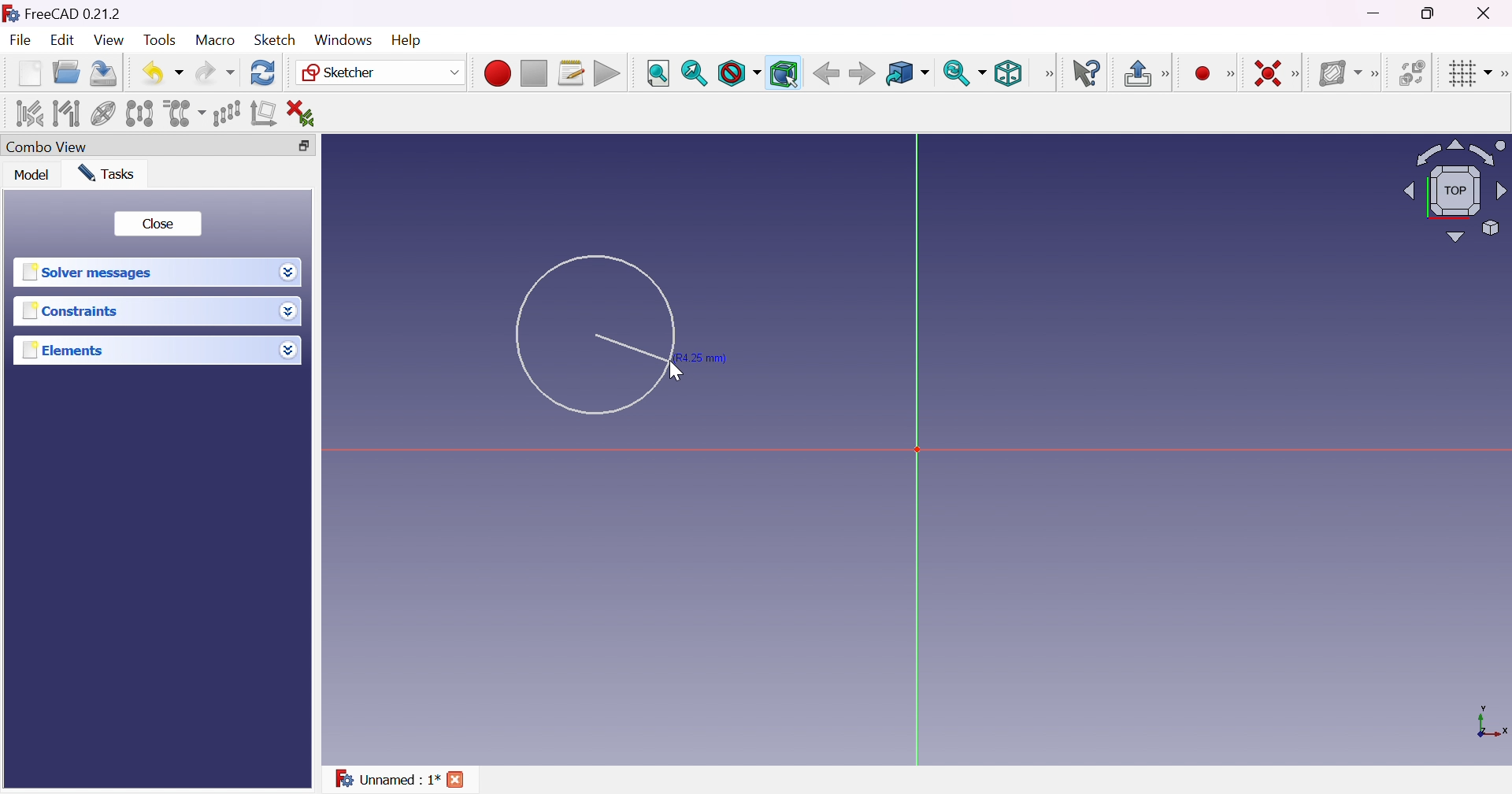 This screenshot has width=1512, height=794. I want to click on What's this?, so click(1088, 73).